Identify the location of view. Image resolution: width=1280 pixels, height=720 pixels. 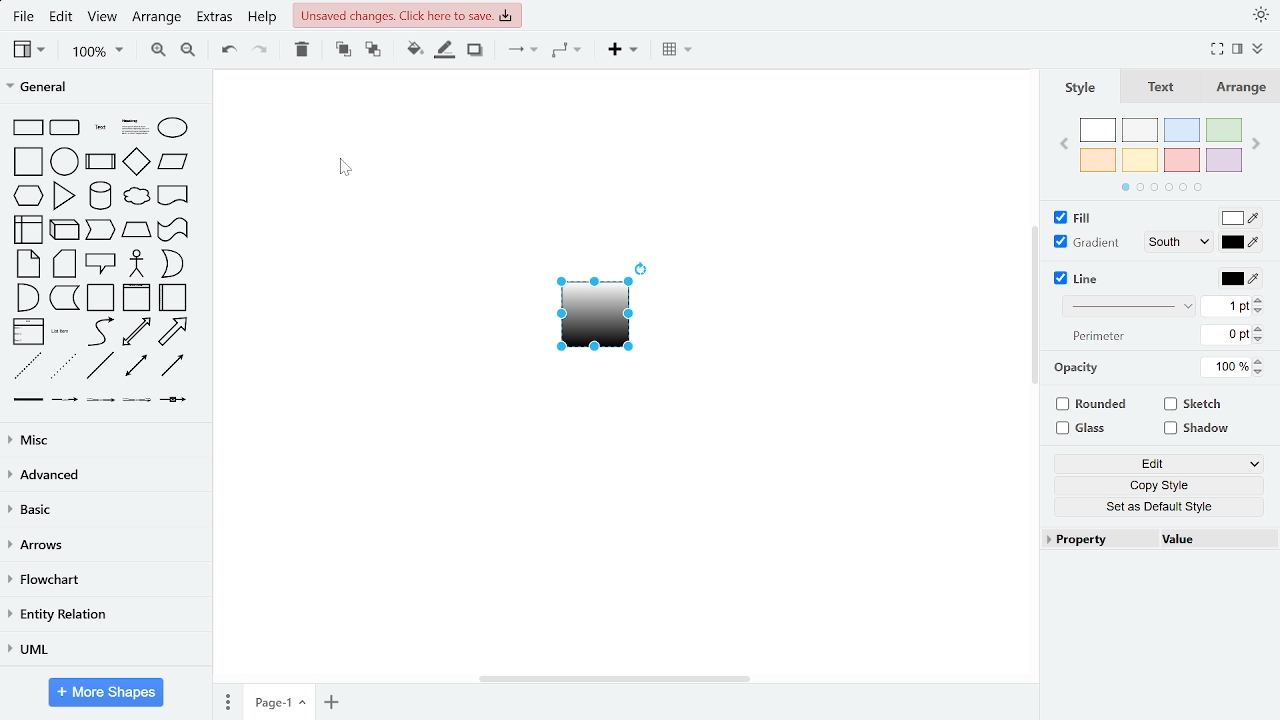
(27, 51).